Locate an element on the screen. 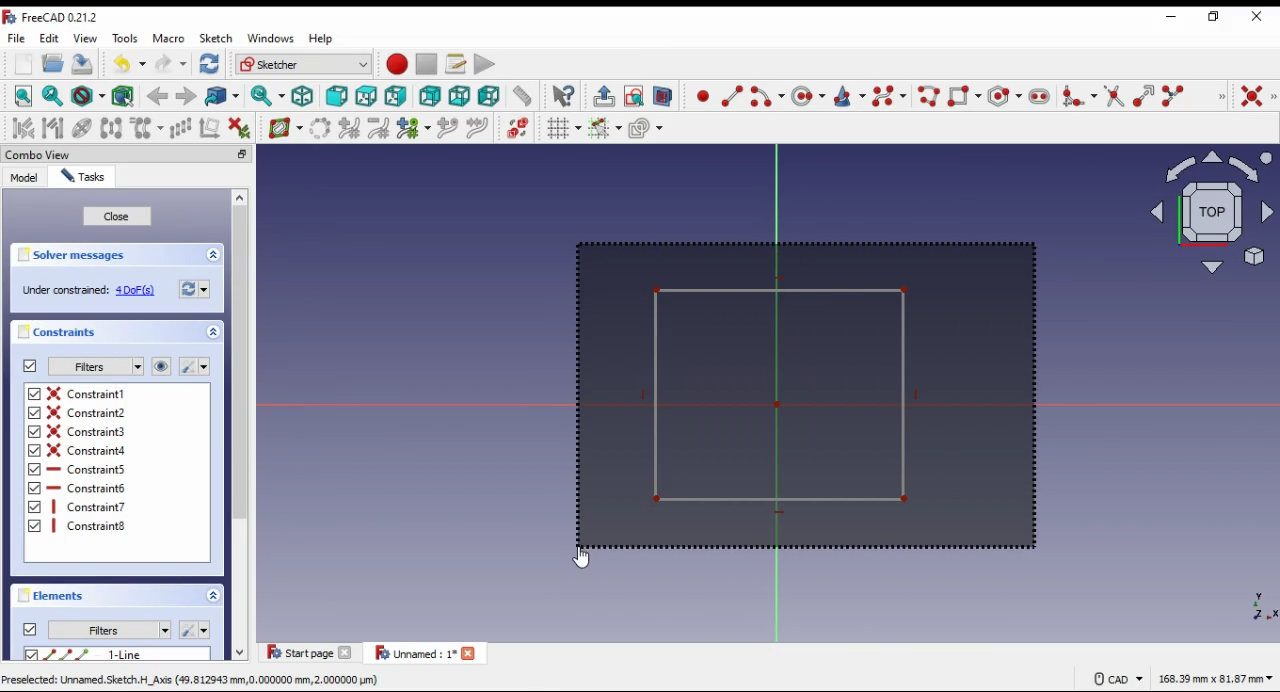  create bspline is located at coordinates (889, 95).